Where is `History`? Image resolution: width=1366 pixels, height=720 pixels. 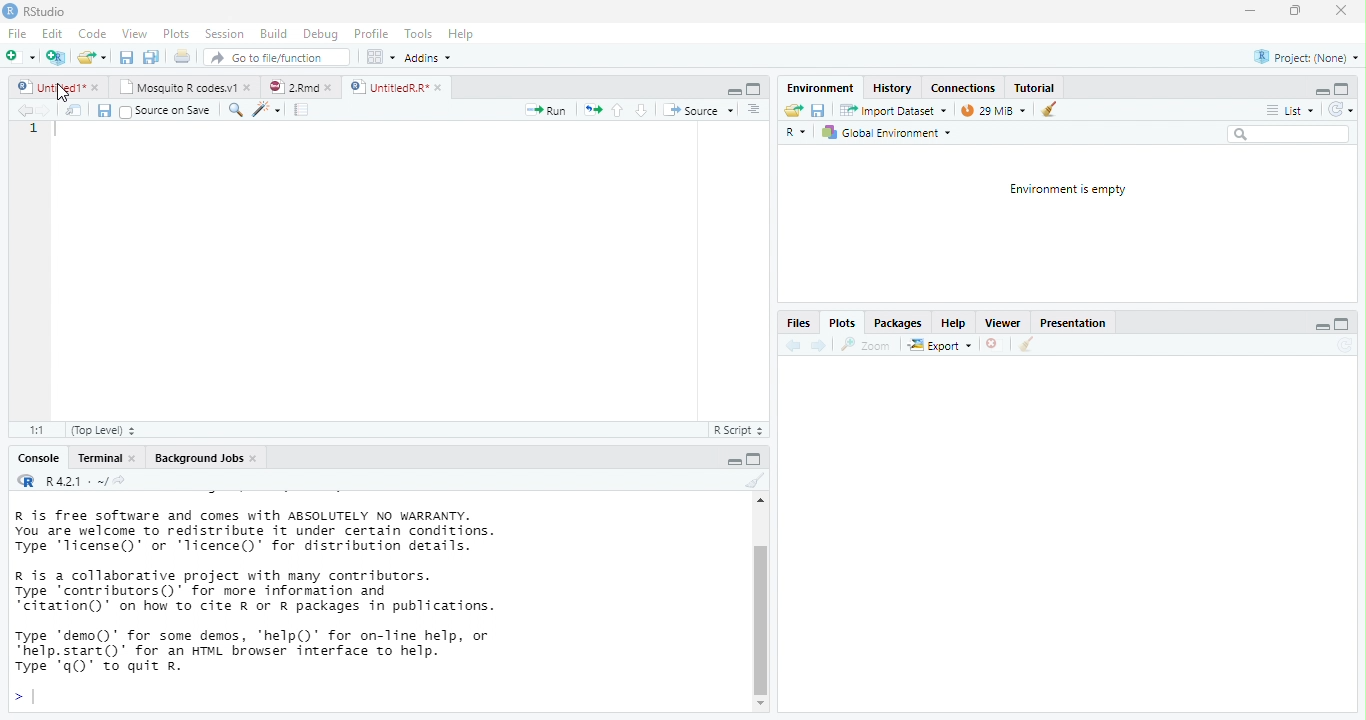 History is located at coordinates (892, 87).